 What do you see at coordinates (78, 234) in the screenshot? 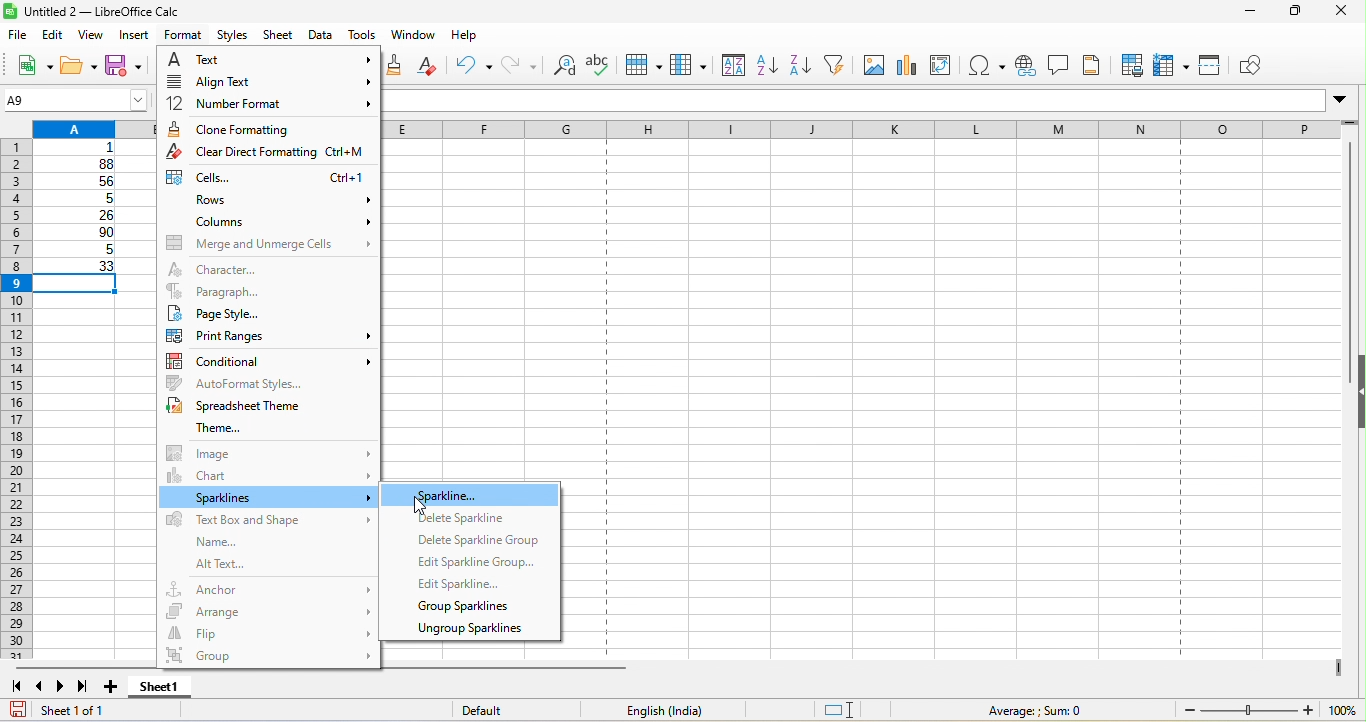
I see `90` at bounding box center [78, 234].